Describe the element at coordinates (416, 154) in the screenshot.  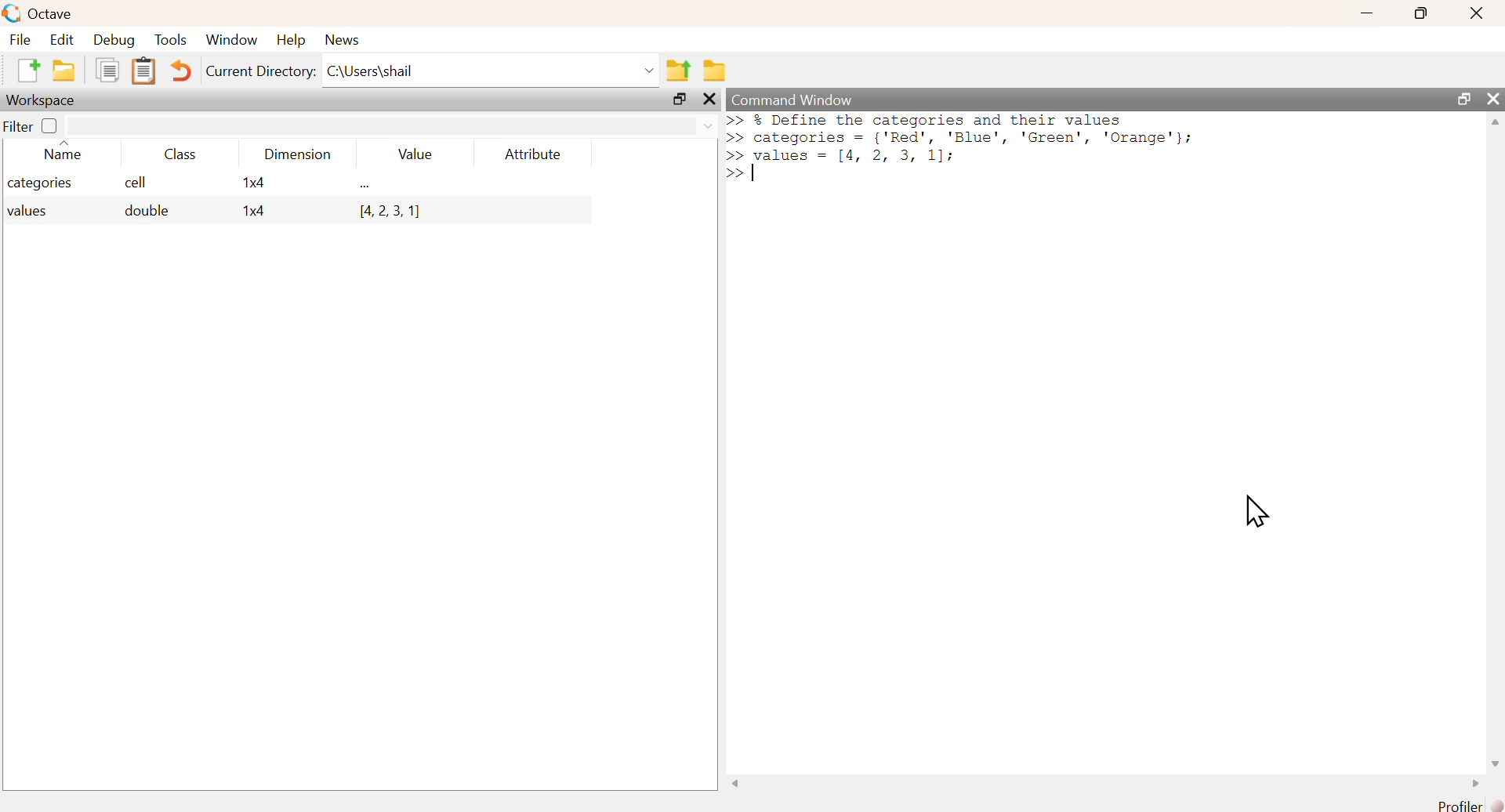
I see `Value` at that location.